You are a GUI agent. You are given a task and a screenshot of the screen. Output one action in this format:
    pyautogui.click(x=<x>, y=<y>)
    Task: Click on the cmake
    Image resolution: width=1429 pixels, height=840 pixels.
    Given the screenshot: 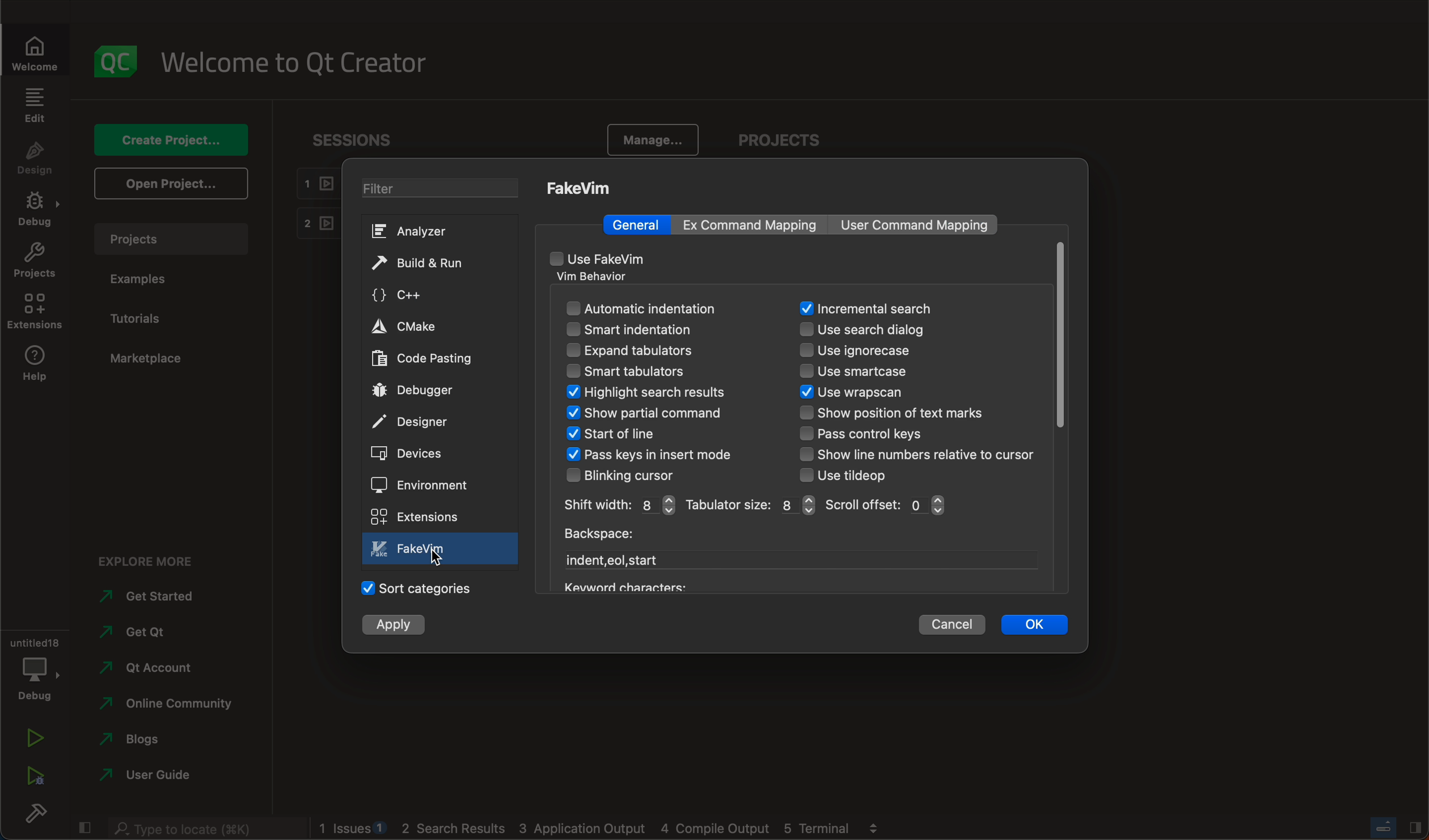 What is the action you would take?
    pyautogui.click(x=427, y=328)
    